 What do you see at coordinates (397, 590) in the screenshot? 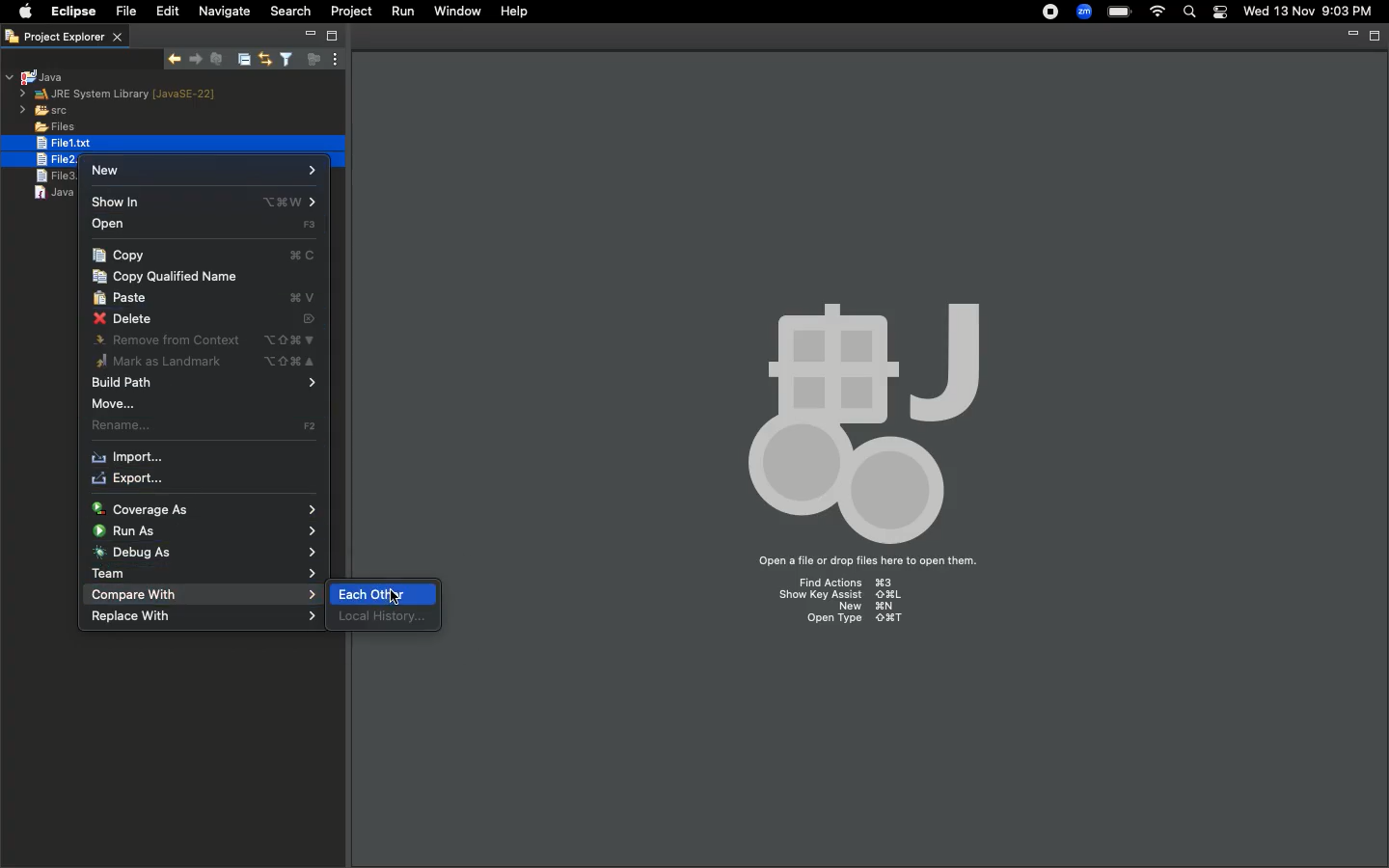
I see `cursor` at bounding box center [397, 590].